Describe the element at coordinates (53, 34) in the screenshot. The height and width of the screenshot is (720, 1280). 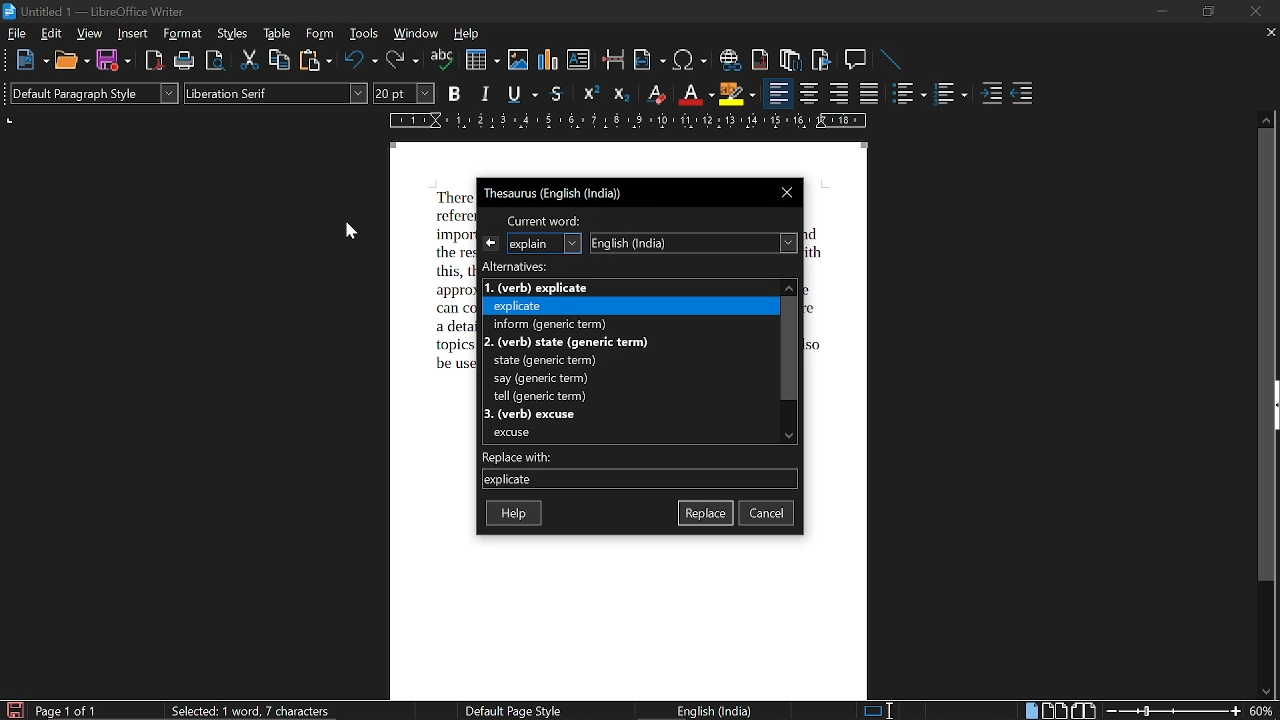
I see `edit` at that location.